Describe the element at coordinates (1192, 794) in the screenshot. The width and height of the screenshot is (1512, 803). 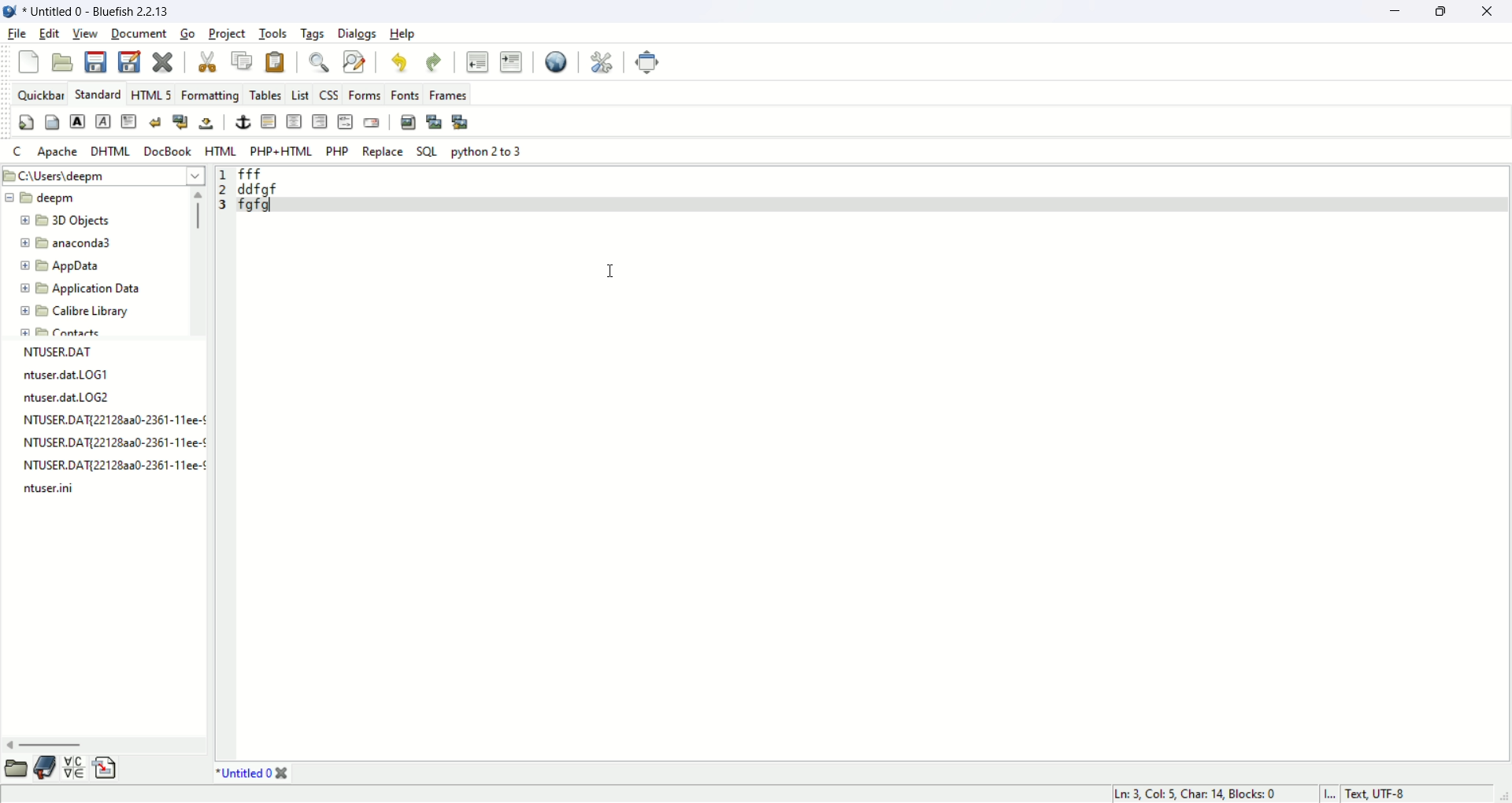
I see `lN 3, cOL 5, Char 14, Blocks:0` at that location.